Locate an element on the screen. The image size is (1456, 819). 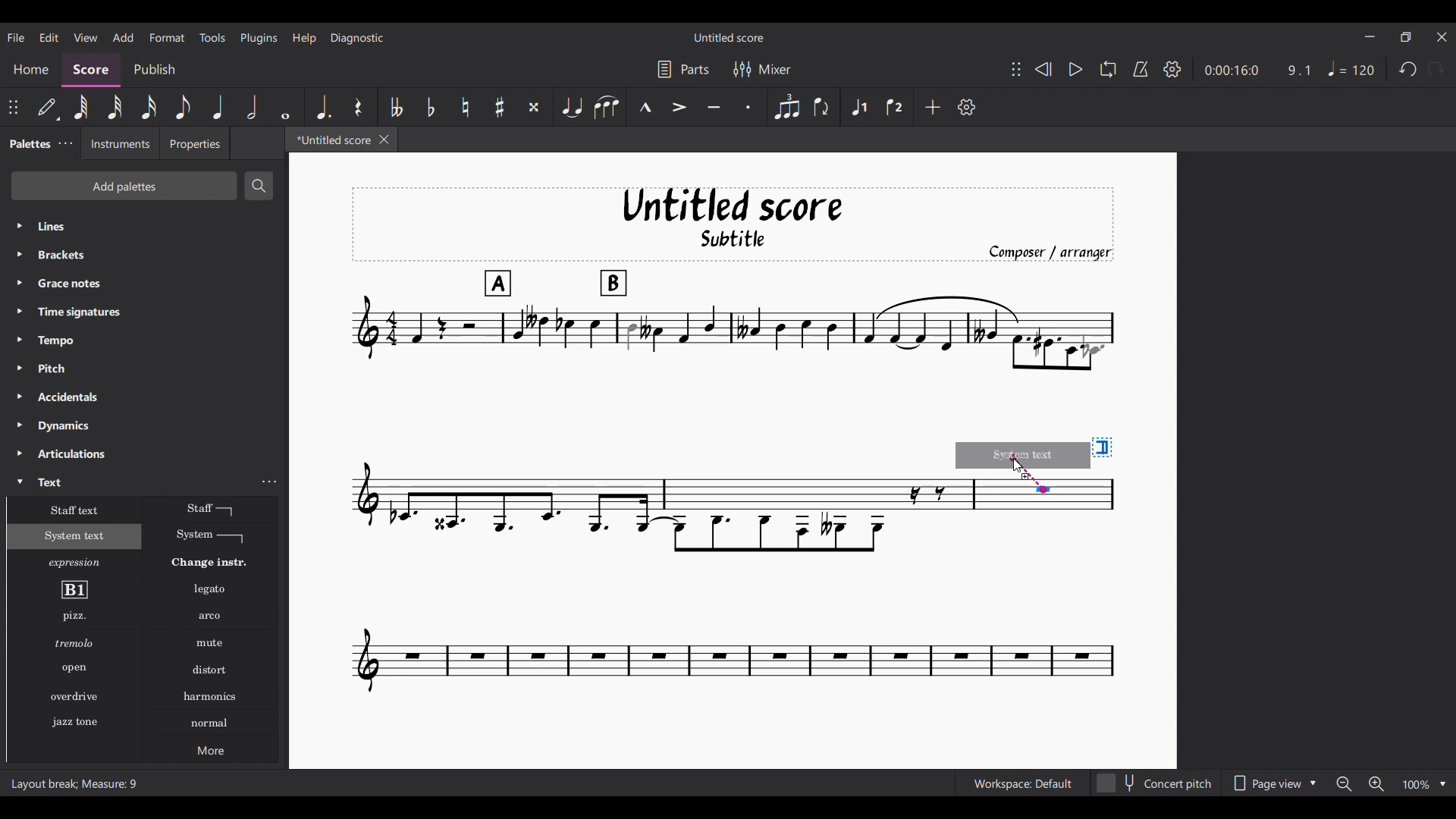
Quarter note is located at coordinates (218, 106).